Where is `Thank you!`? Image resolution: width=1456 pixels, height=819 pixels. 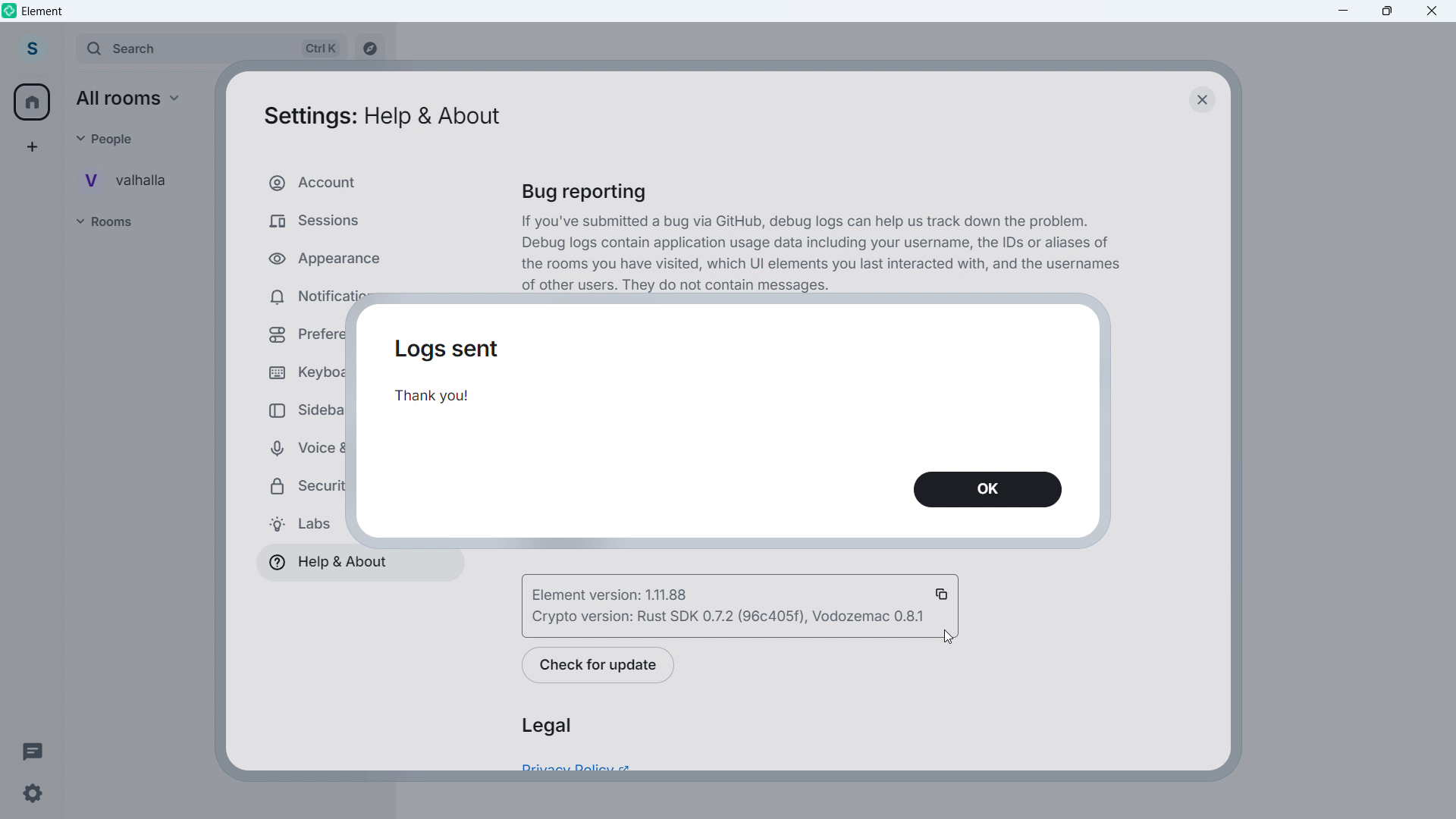 Thank you! is located at coordinates (440, 399).